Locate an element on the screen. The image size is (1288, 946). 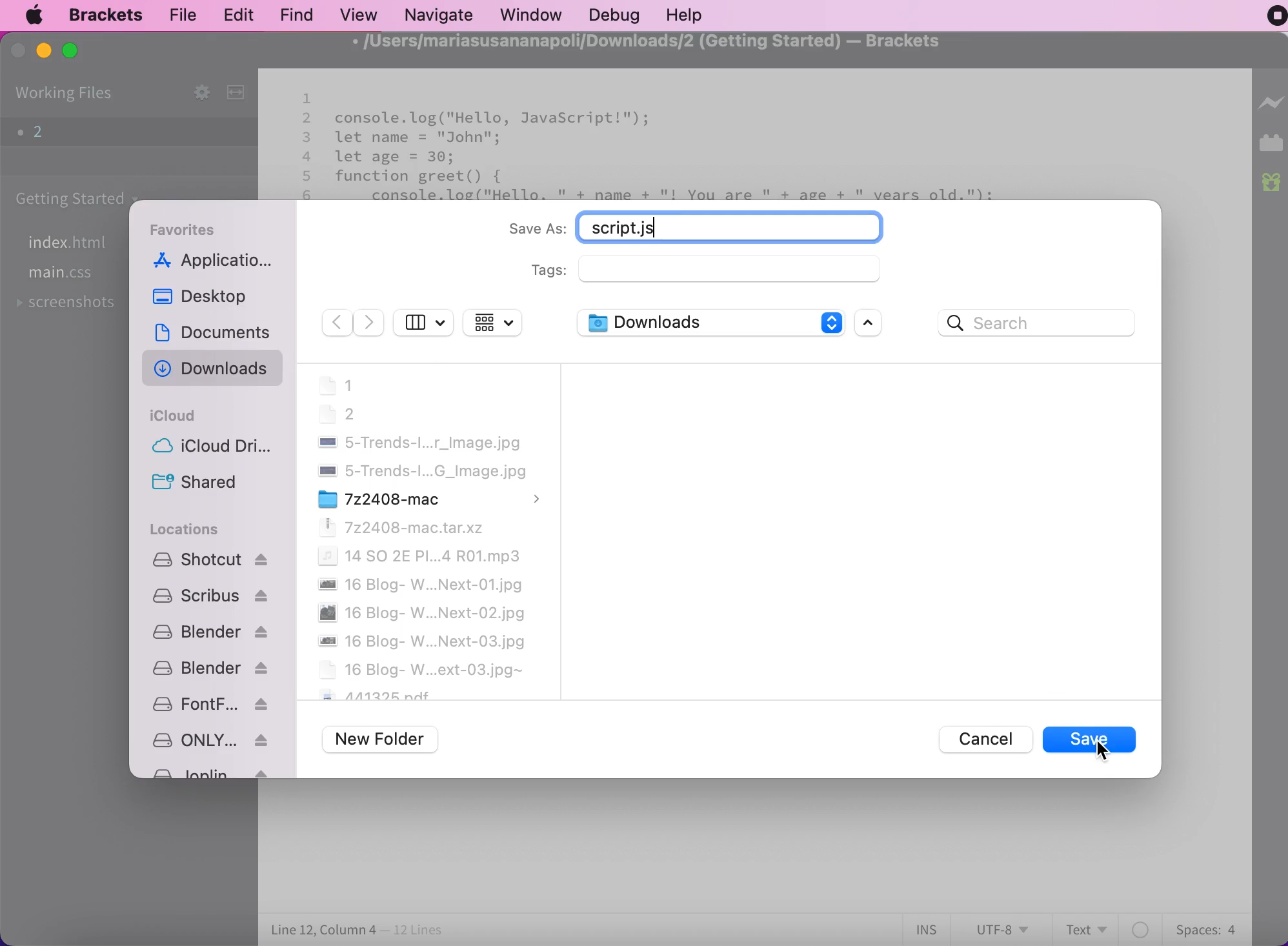
new folder is located at coordinates (383, 740).